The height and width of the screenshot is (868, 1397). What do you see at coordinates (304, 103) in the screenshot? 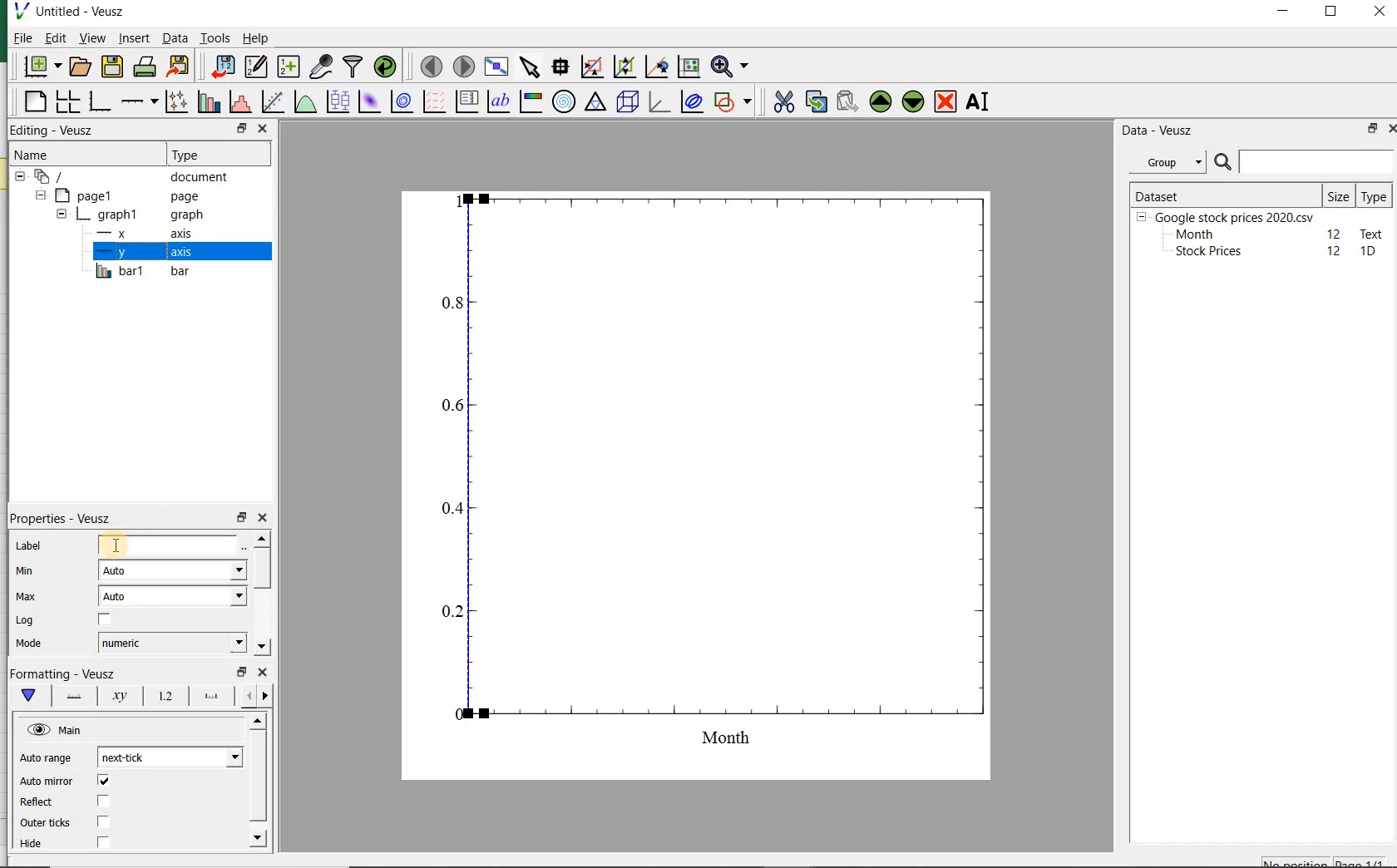
I see `plot a function` at bounding box center [304, 103].